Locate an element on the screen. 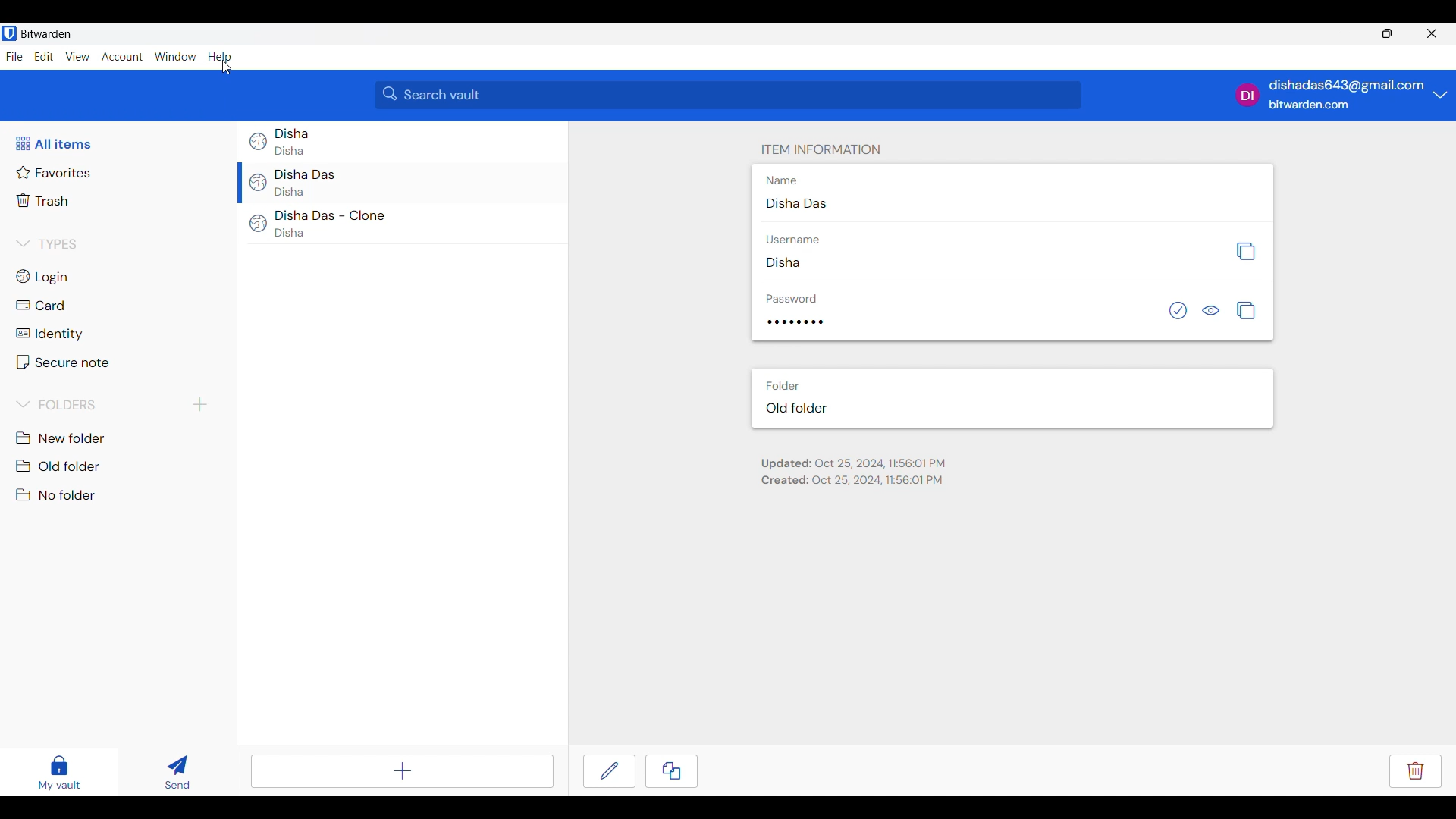 The height and width of the screenshot is (819, 1456). Username is located at coordinates (792, 240).